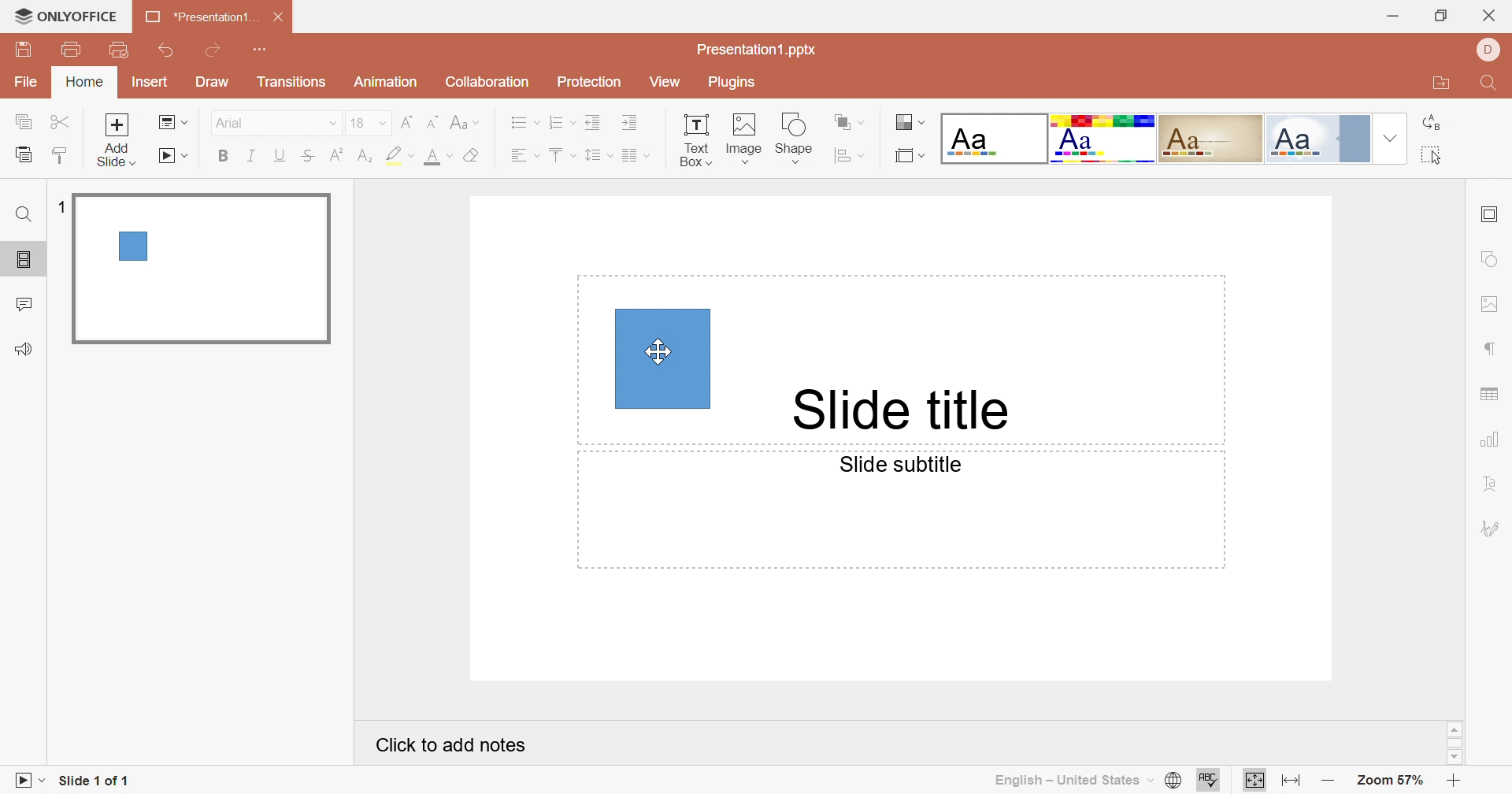  Describe the element at coordinates (560, 155) in the screenshot. I see `Align Top` at that location.